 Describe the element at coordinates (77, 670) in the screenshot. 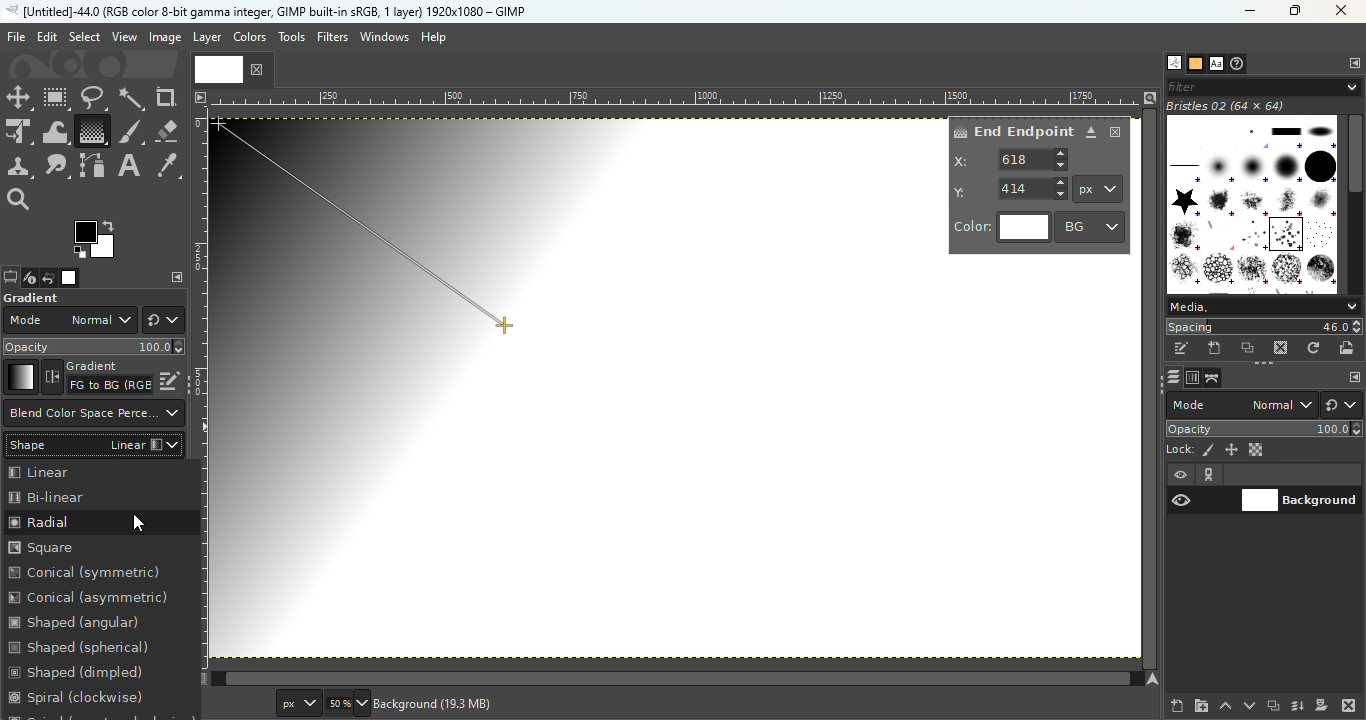

I see `Shaped (dimpled)` at that location.